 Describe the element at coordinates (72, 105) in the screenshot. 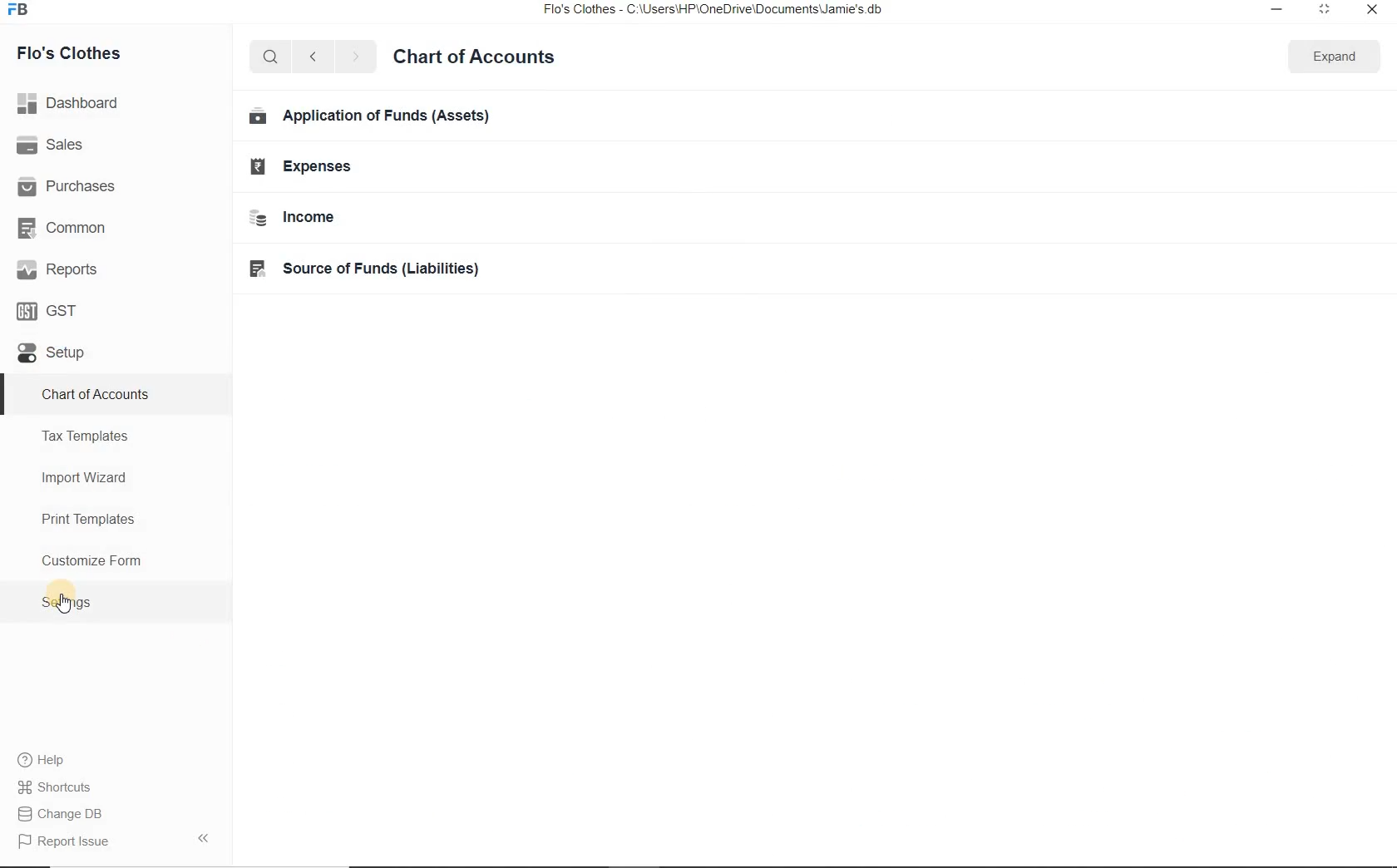

I see `Dashboard` at that location.